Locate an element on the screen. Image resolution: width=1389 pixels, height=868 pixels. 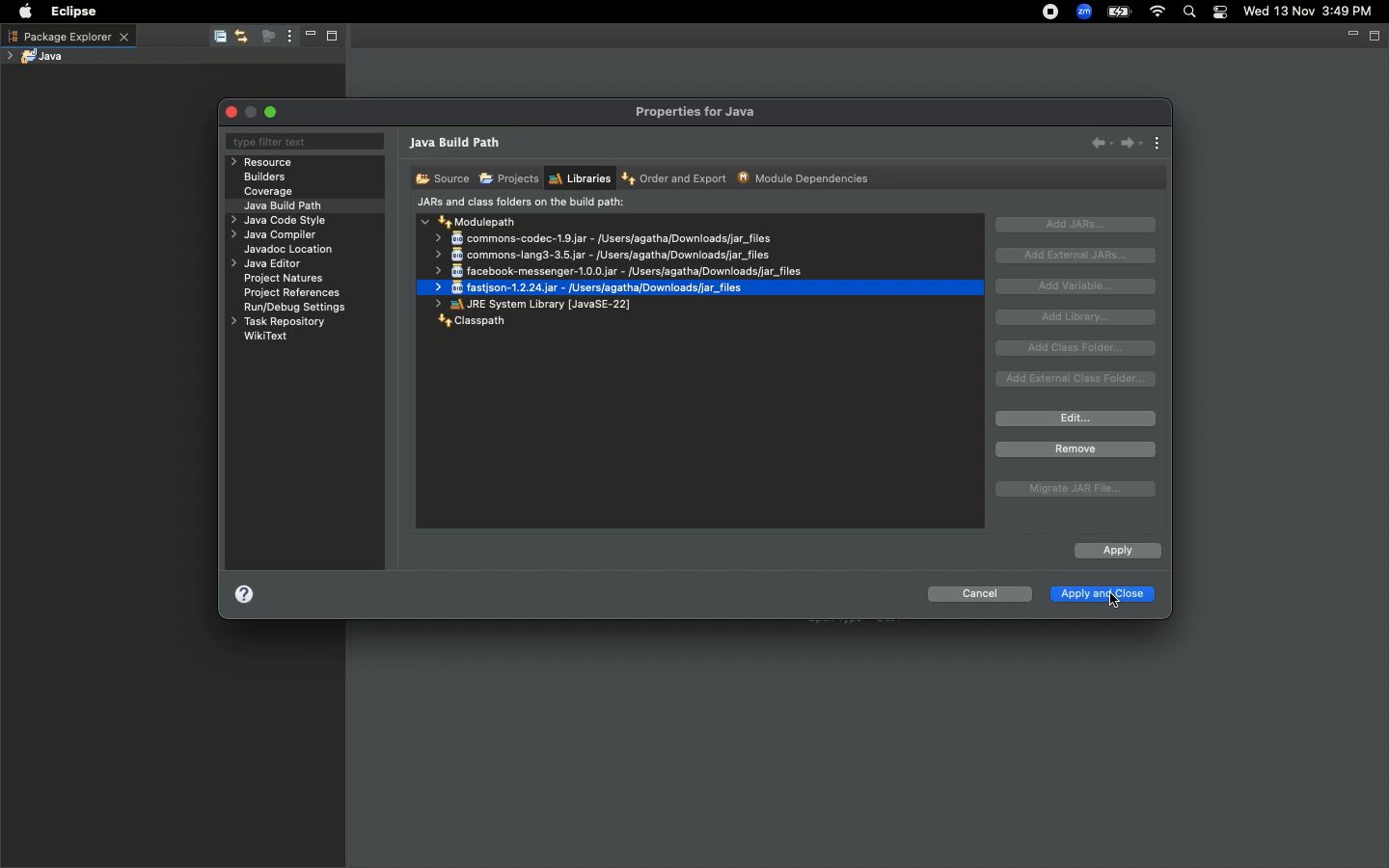
Add JARs is located at coordinates (1076, 225).